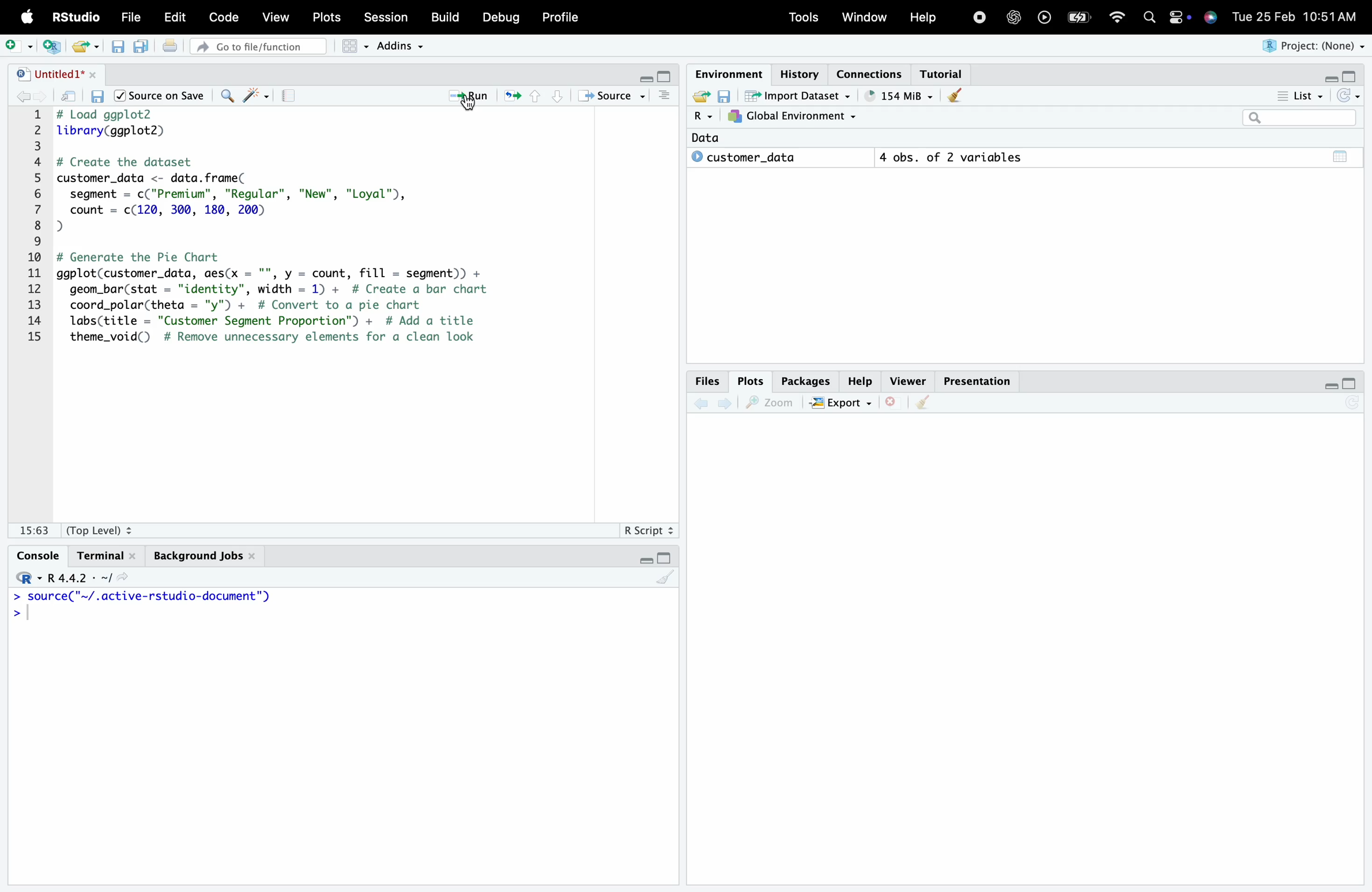  Describe the element at coordinates (729, 407) in the screenshot. I see `next` at that location.